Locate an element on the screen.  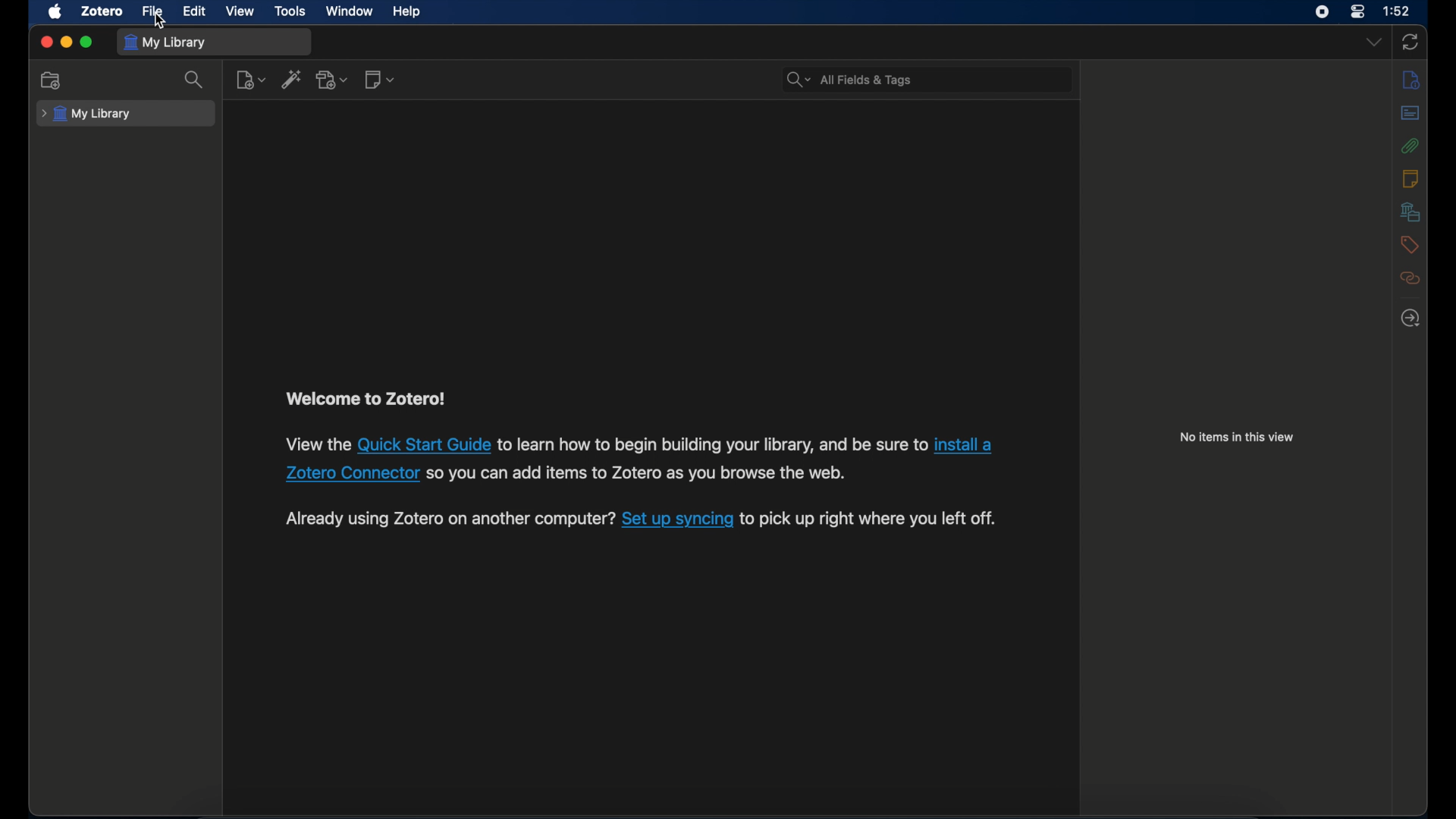
tags is located at coordinates (1410, 245).